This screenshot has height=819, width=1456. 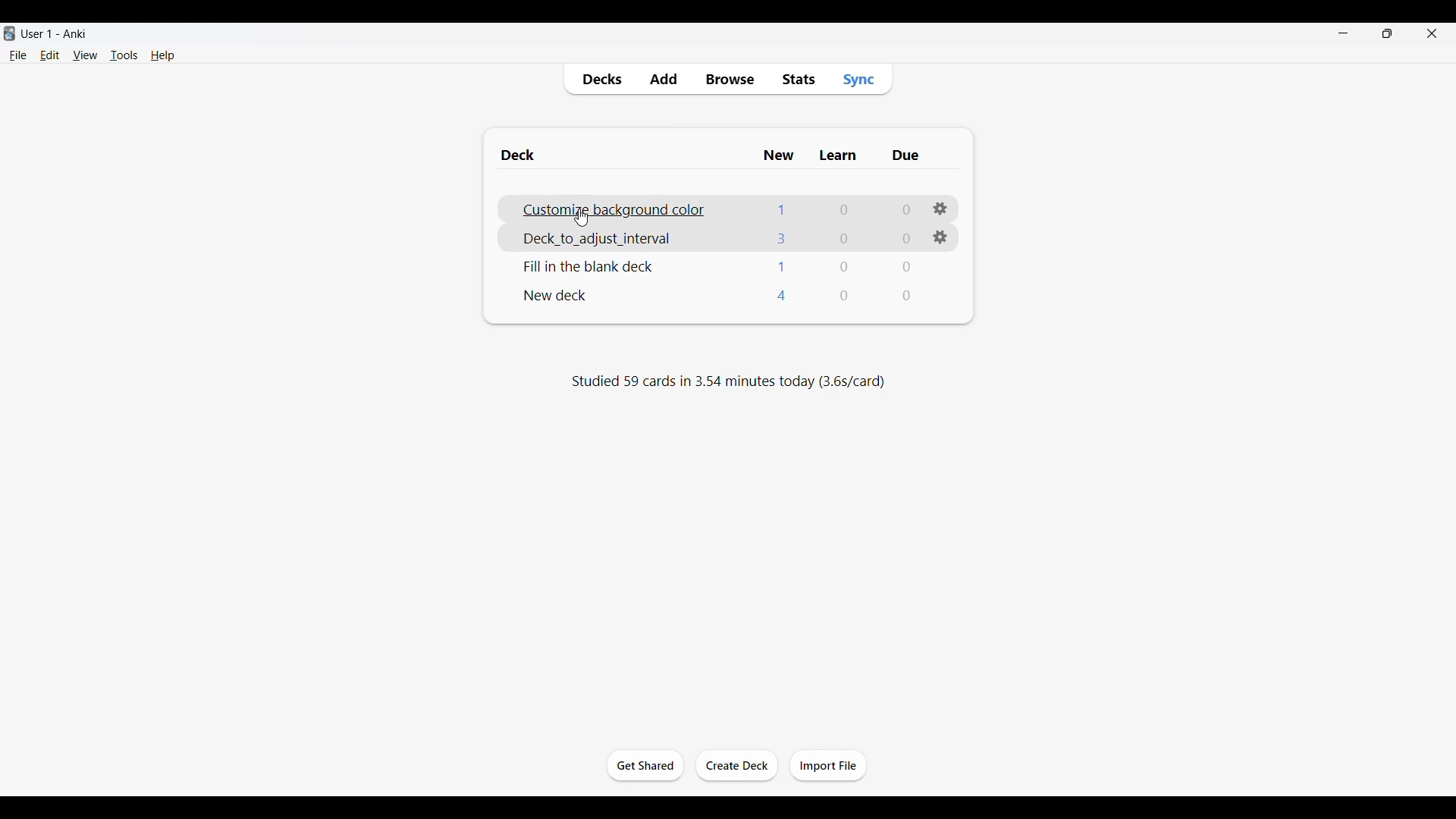 I want to click on Settings of new deck, so click(x=940, y=209).